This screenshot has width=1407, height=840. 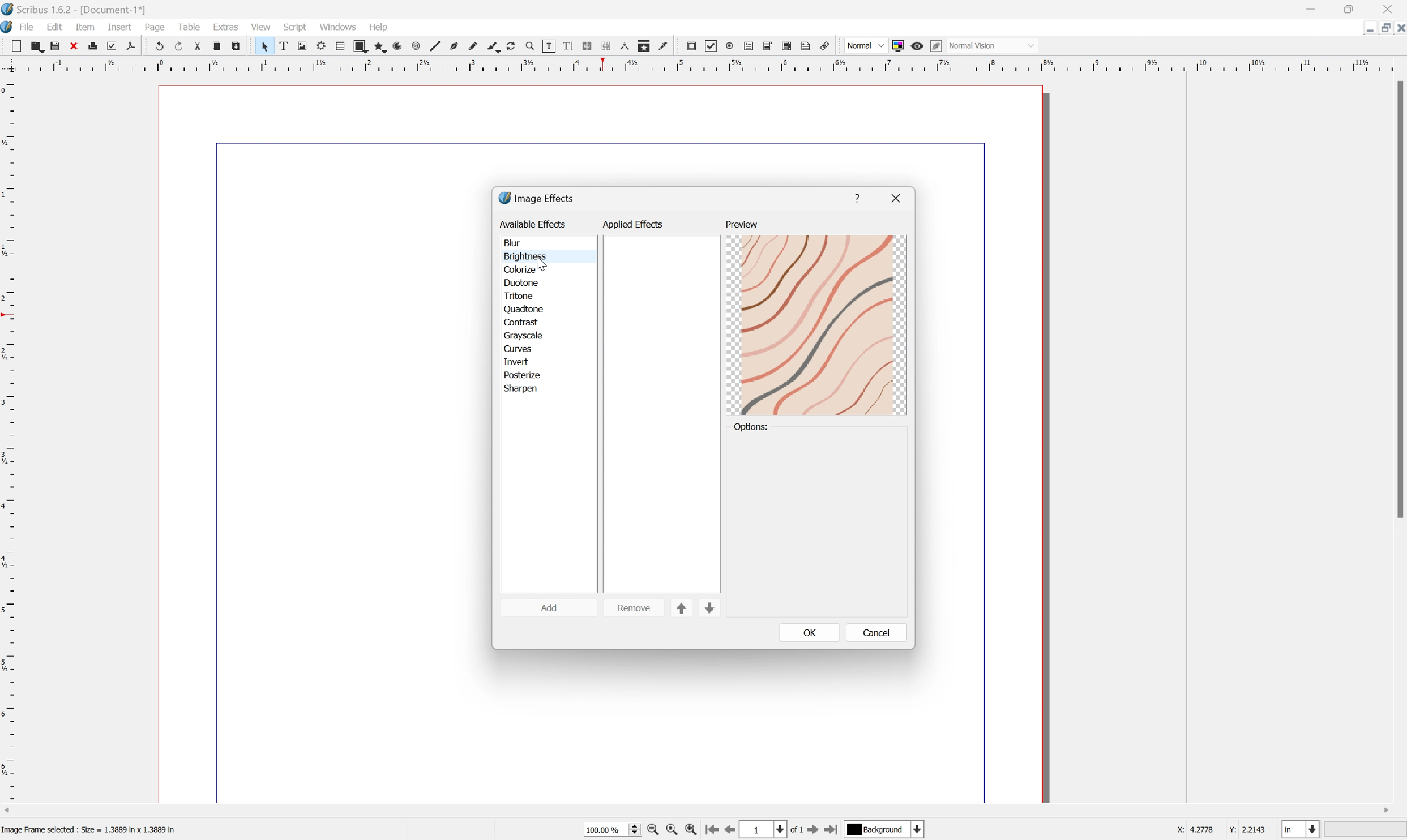 I want to click on Zoom Out, so click(x=652, y=831).